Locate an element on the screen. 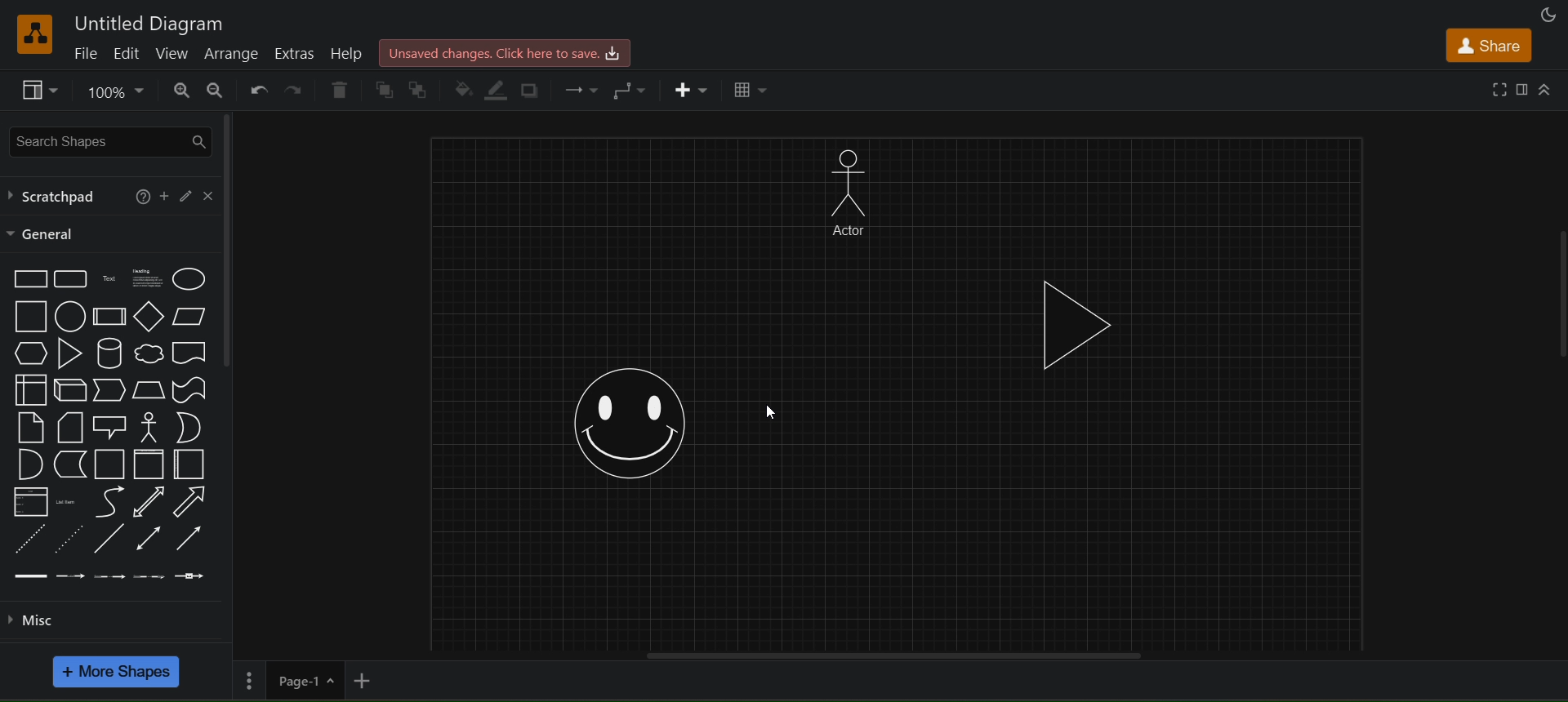  document is located at coordinates (189, 353).